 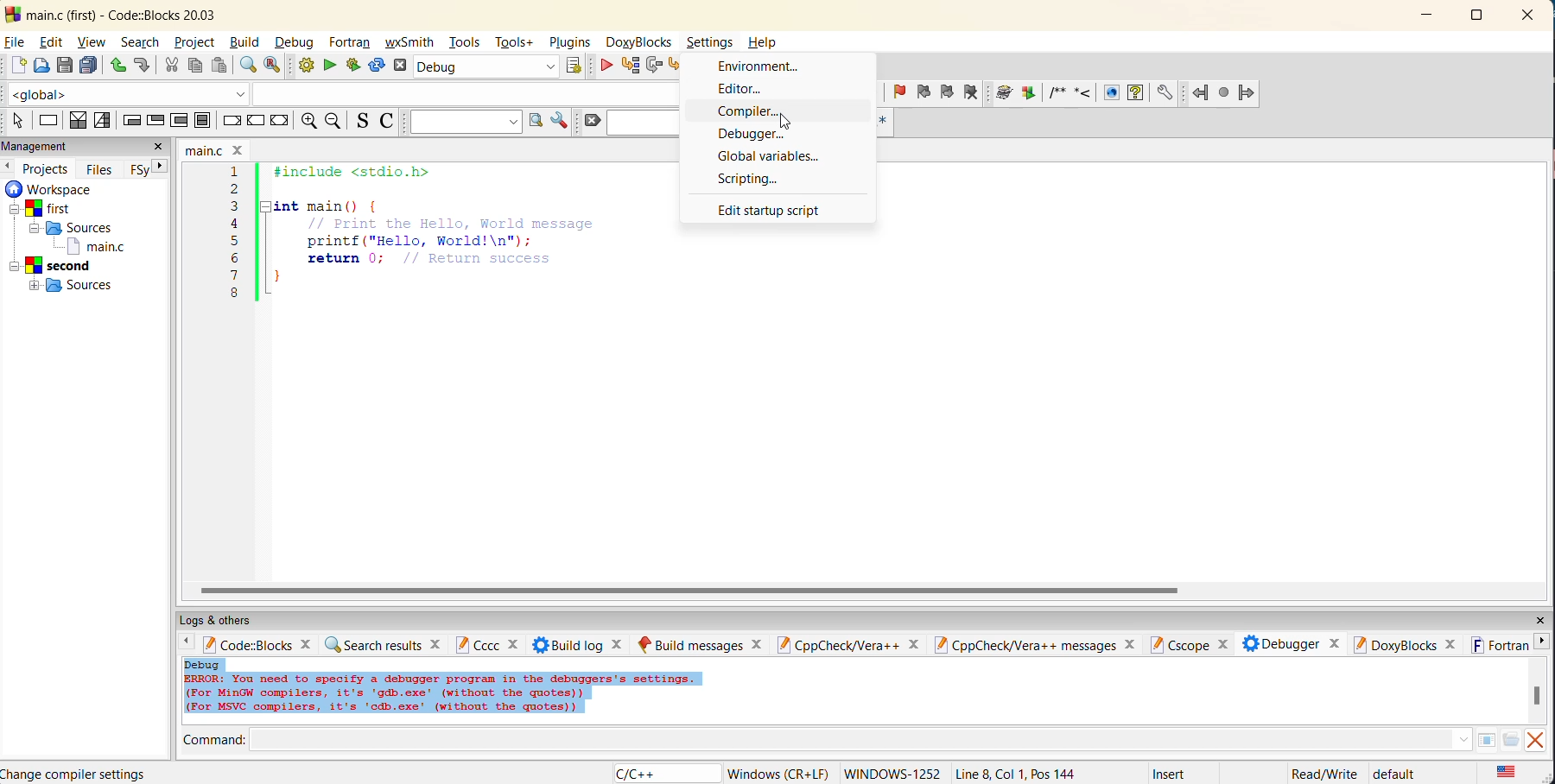 What do you see at coordinates (1003, 92) in the screenshot?
I see `Run doxywizard` at bounding box center [1003, 92].